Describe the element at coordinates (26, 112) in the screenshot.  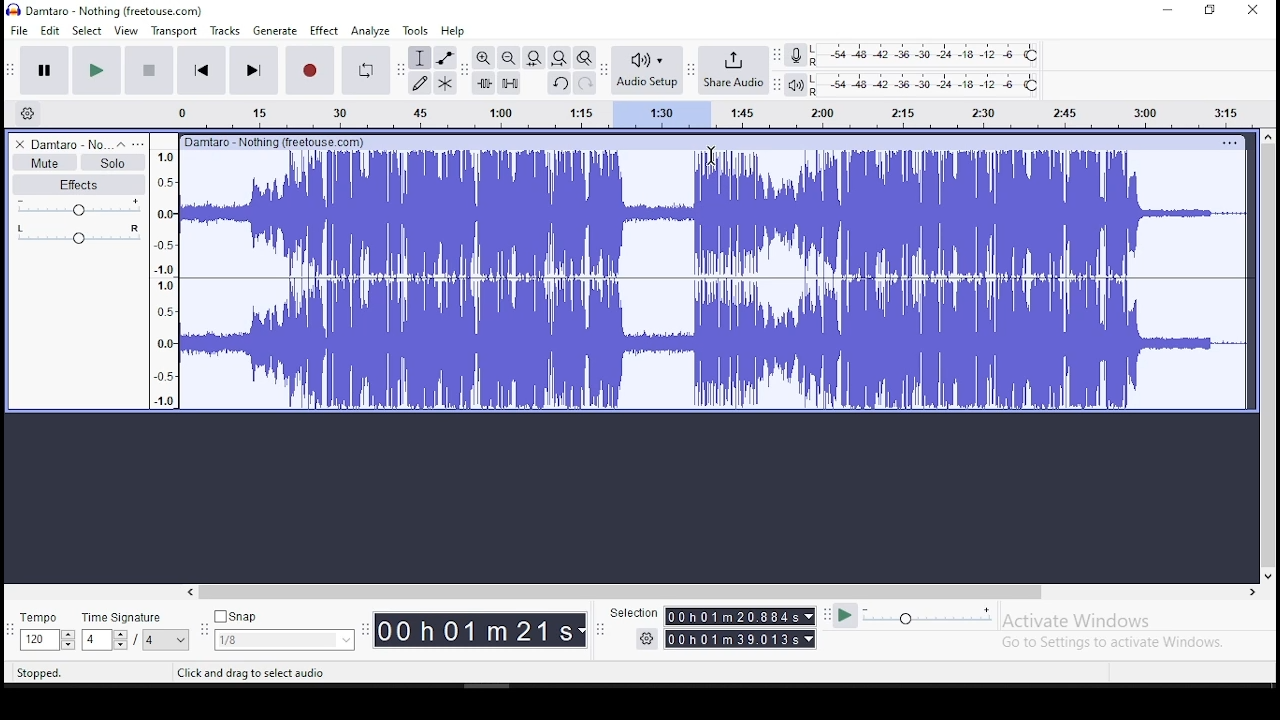
I see `timeline settings` at that location.